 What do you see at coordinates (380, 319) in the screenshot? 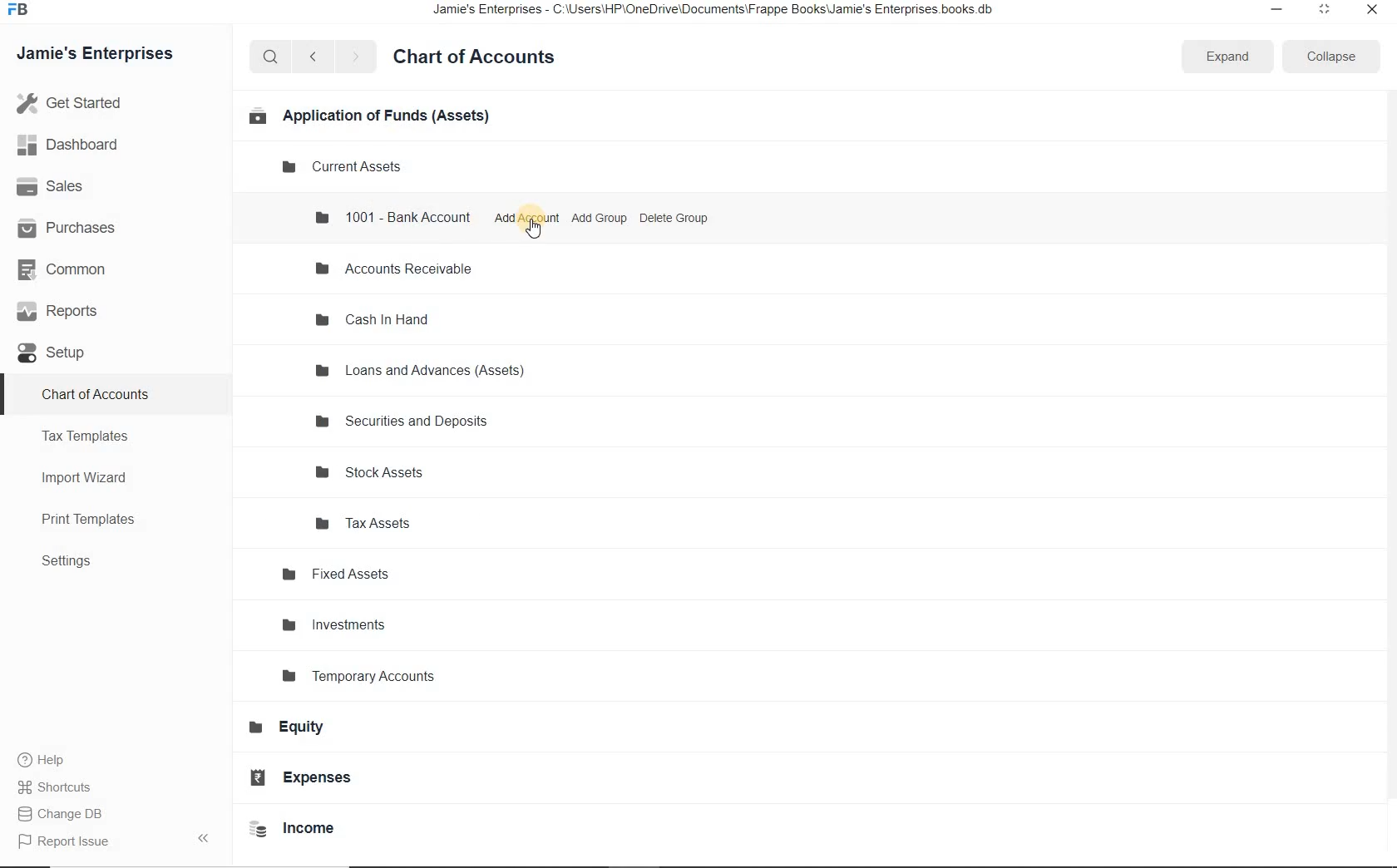
I see `Cash In Hand` at bounding box center [380, 319].